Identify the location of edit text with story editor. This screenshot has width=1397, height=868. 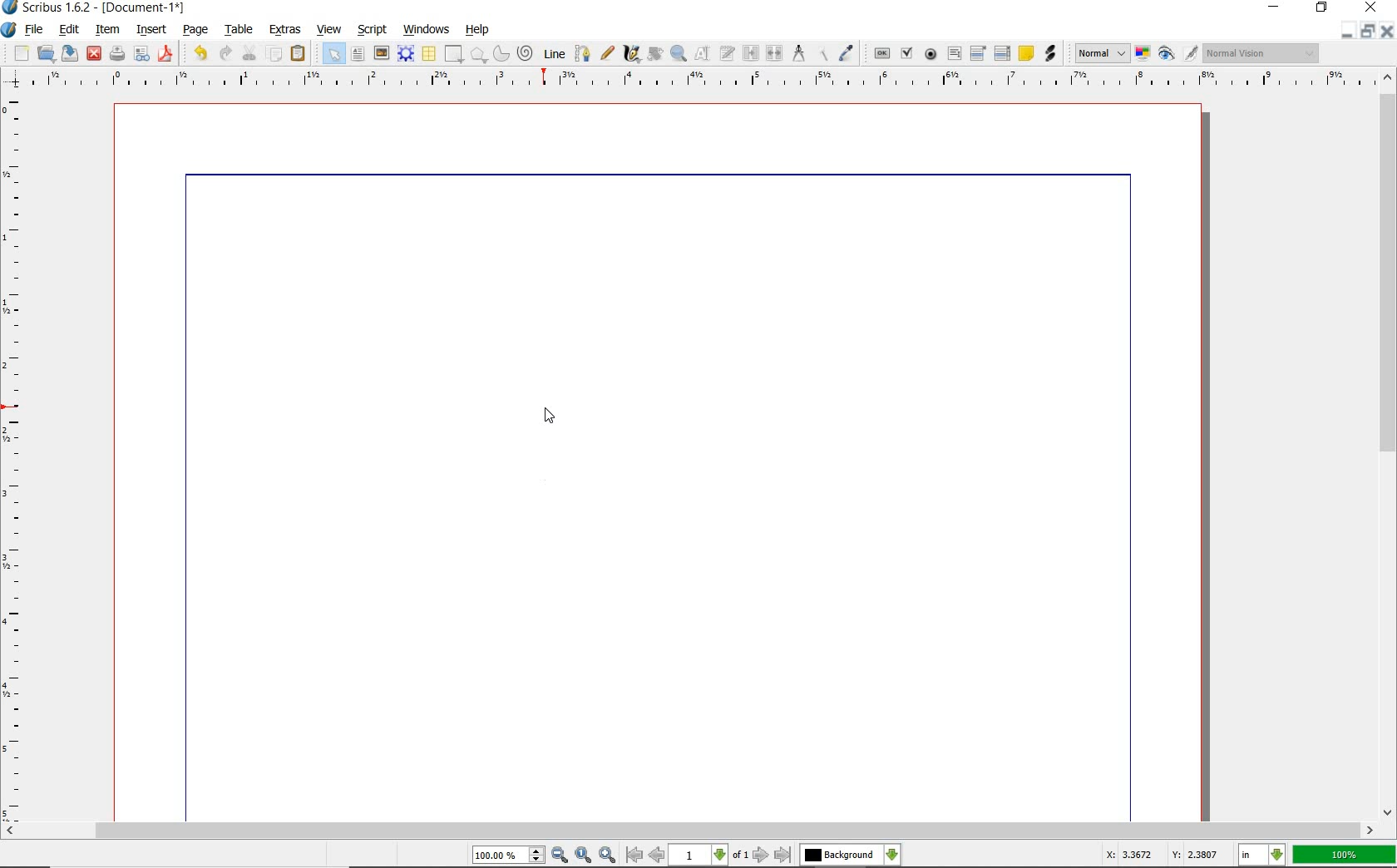
(728, 53).